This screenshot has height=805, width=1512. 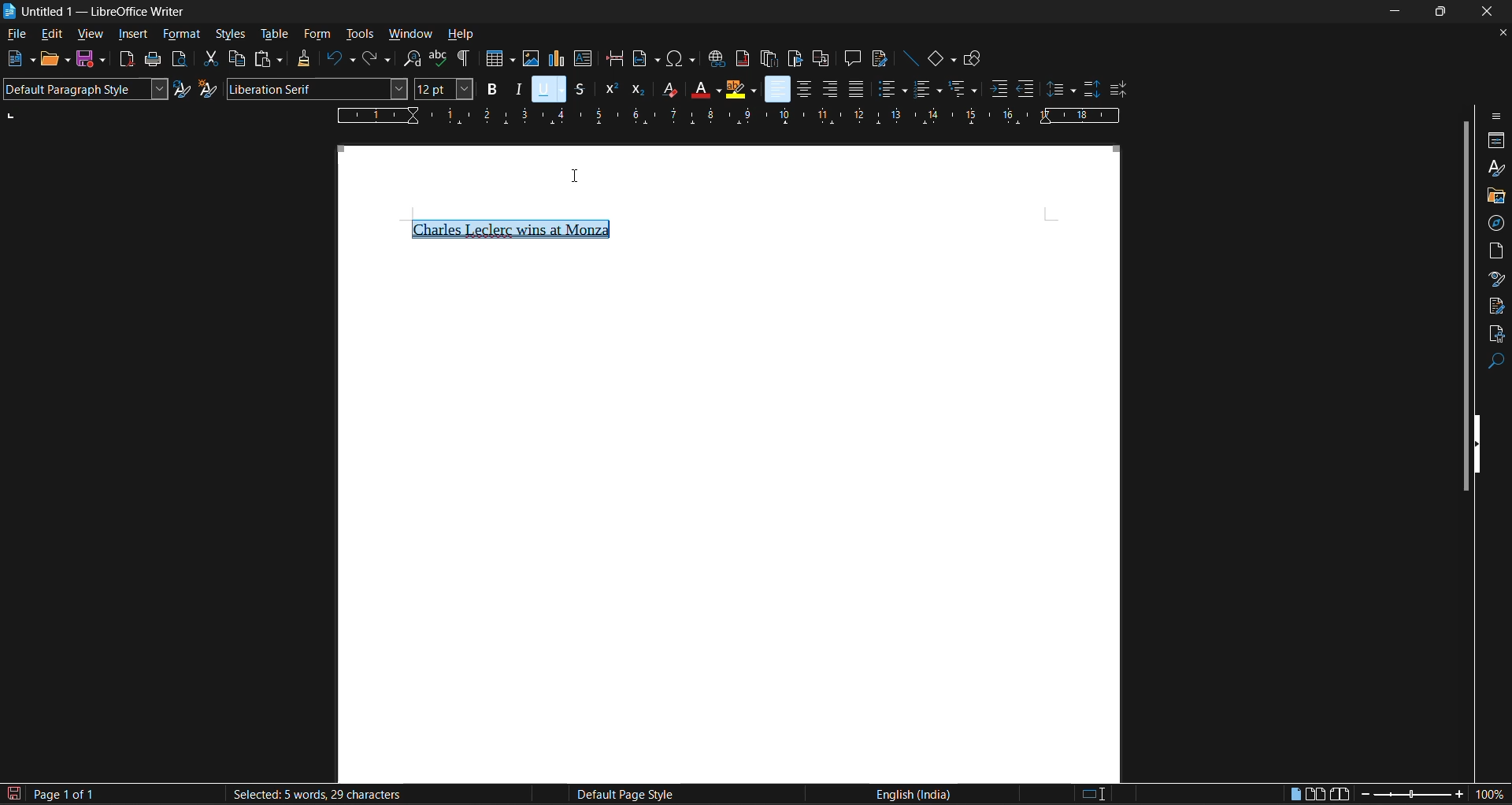 I want to click on font color, so click(x=702, y=88).